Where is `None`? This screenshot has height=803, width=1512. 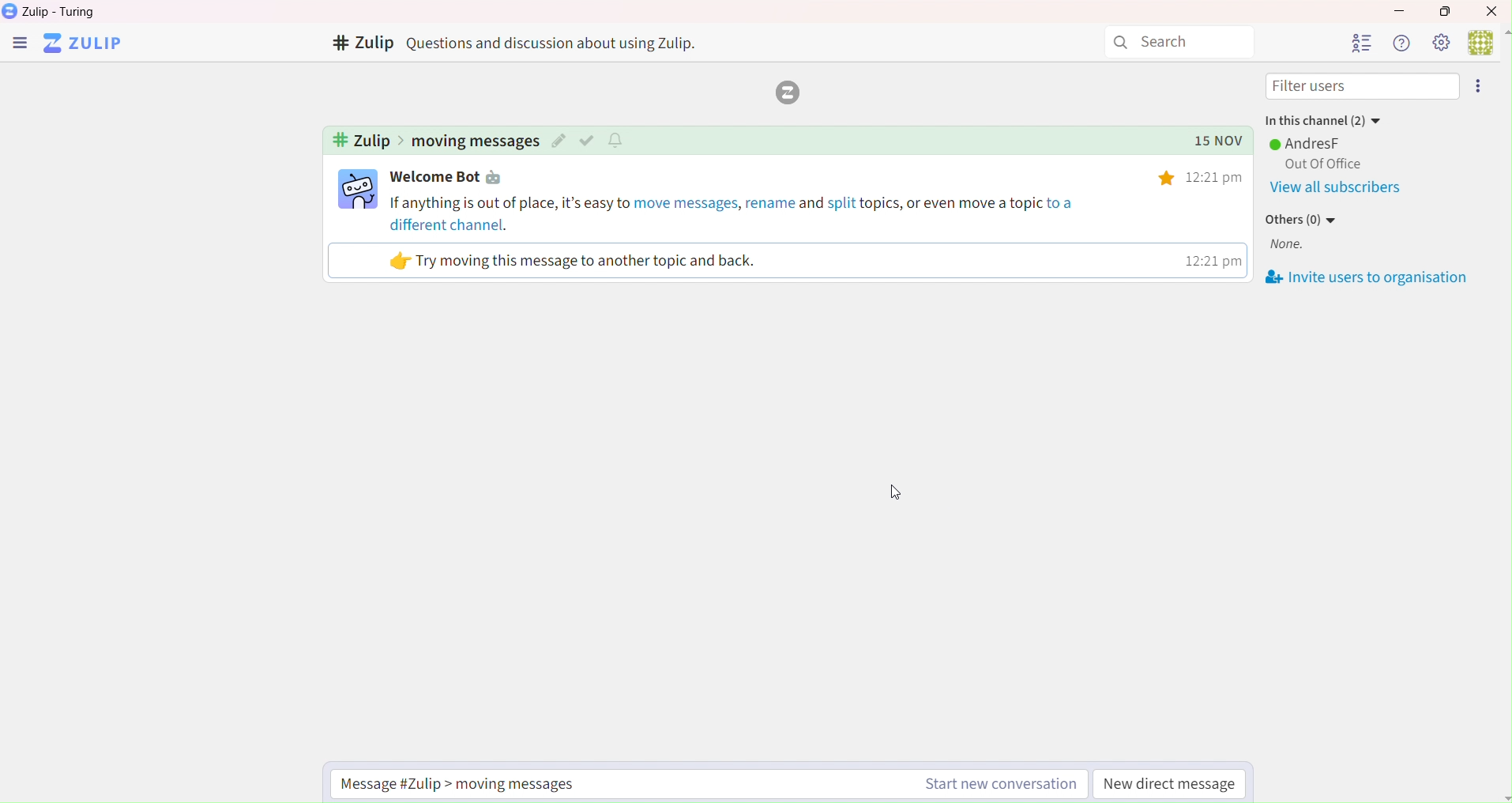
None is located at coordinates (1292, 246).